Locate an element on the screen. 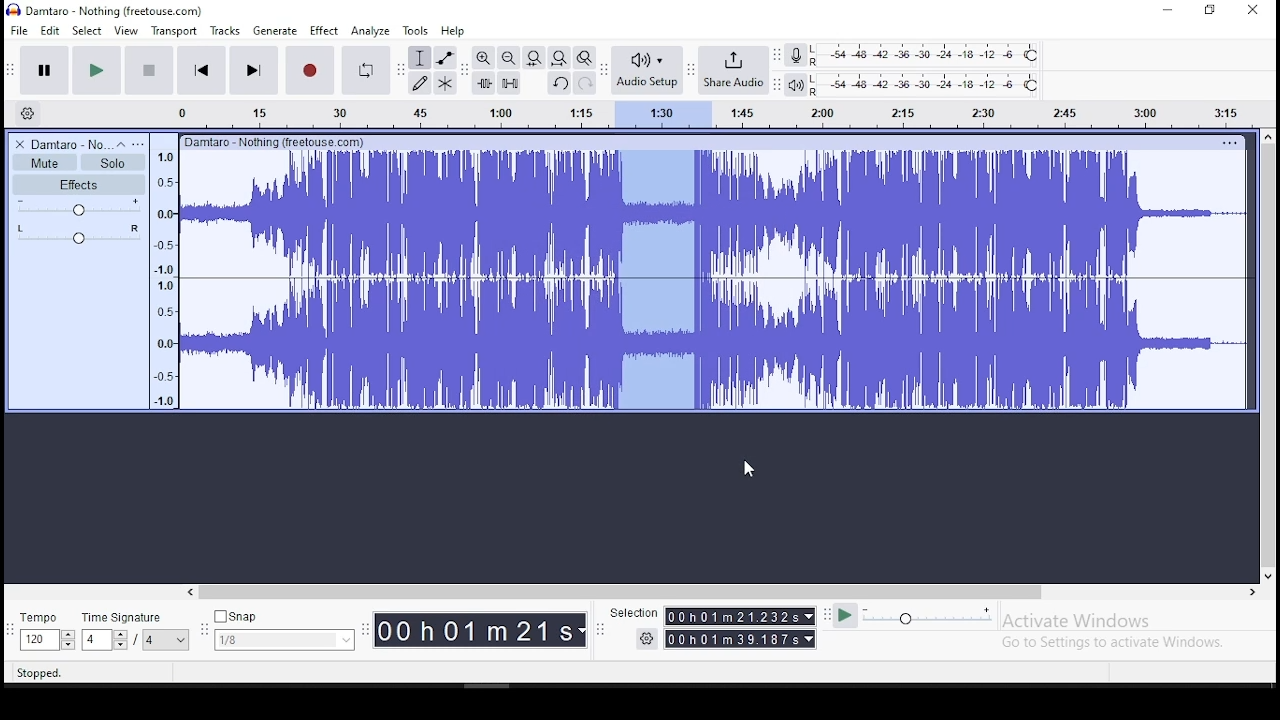  down is located at coordinates (1267, 573).